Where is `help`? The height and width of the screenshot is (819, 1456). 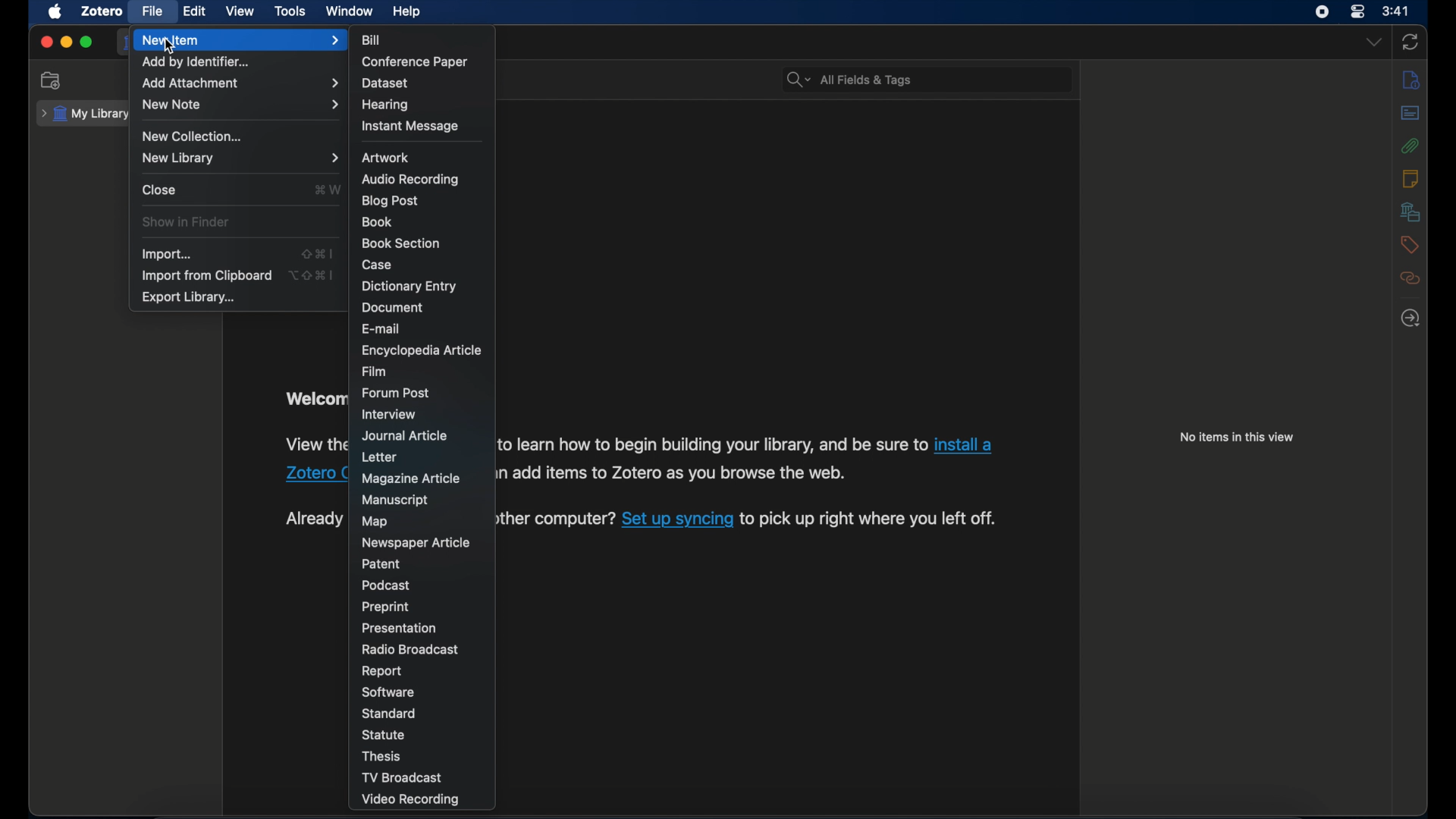
help is located at coordinates (408, 12).